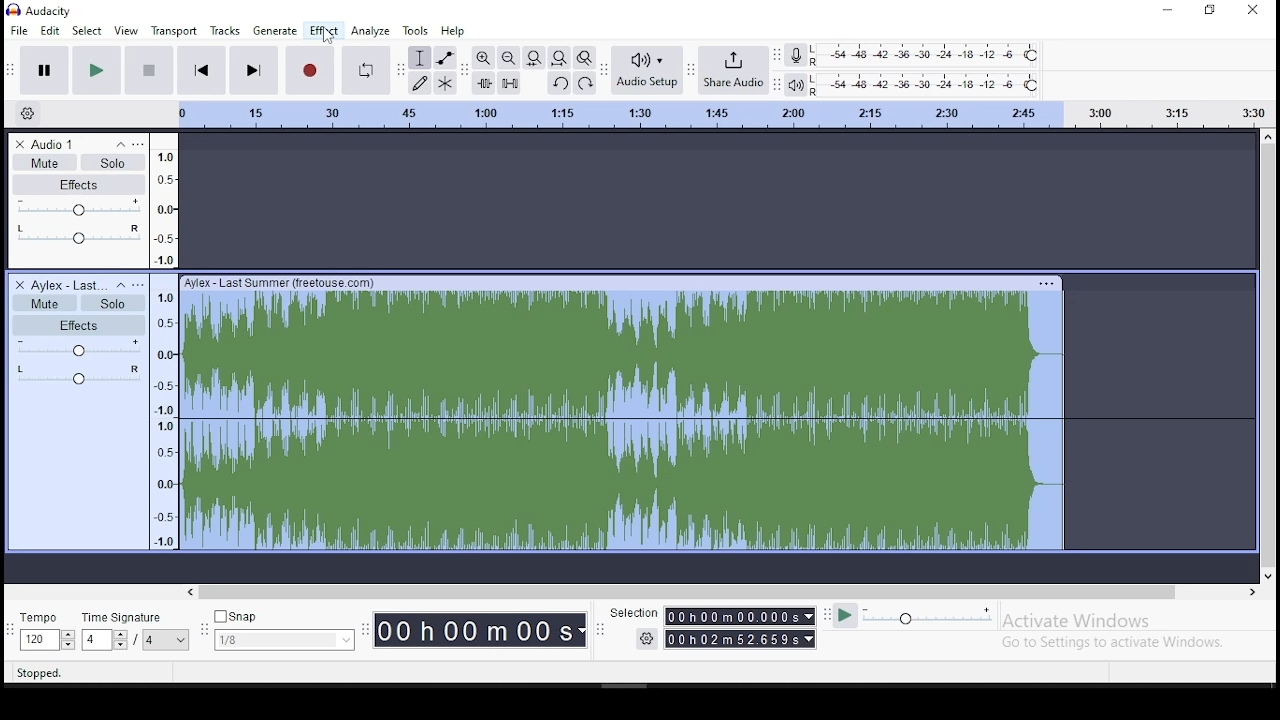  What do you see at coordinates (59, 144) in the screenshot?
I see `audio ` at bounding box center [59, 144].